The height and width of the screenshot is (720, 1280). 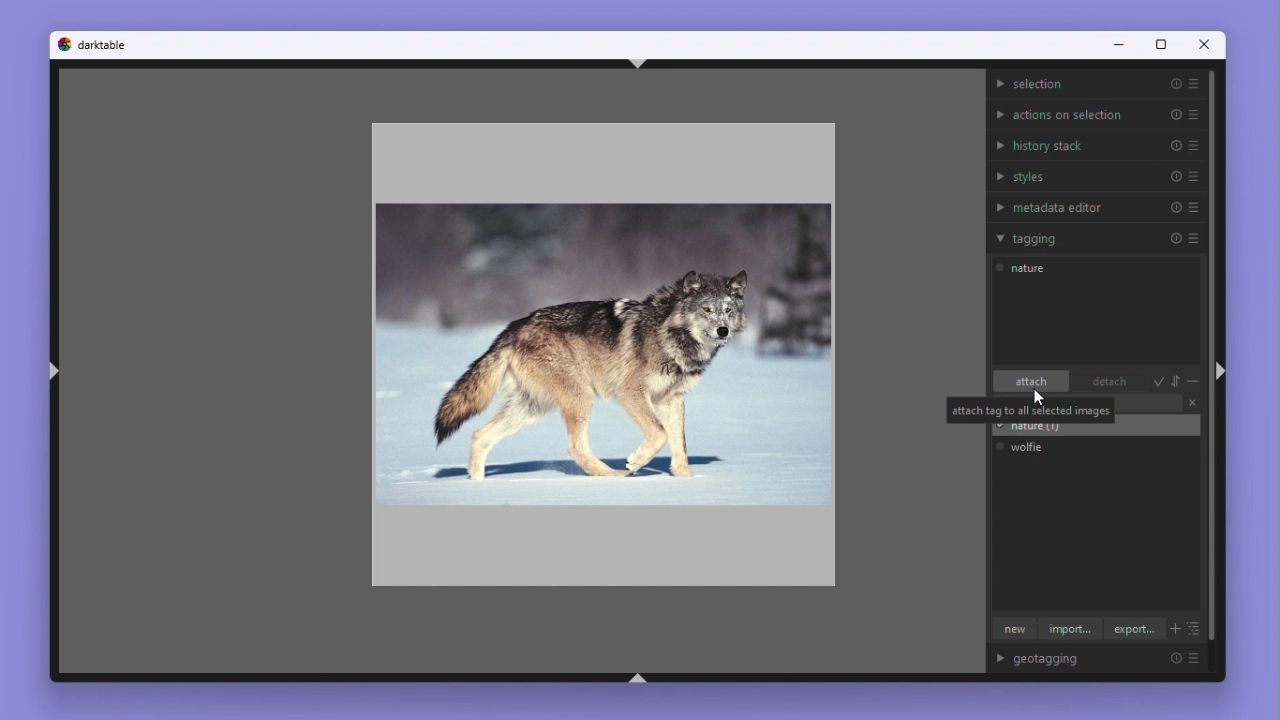 I want to click on Geo tagging, so click(x=1104, y=660).